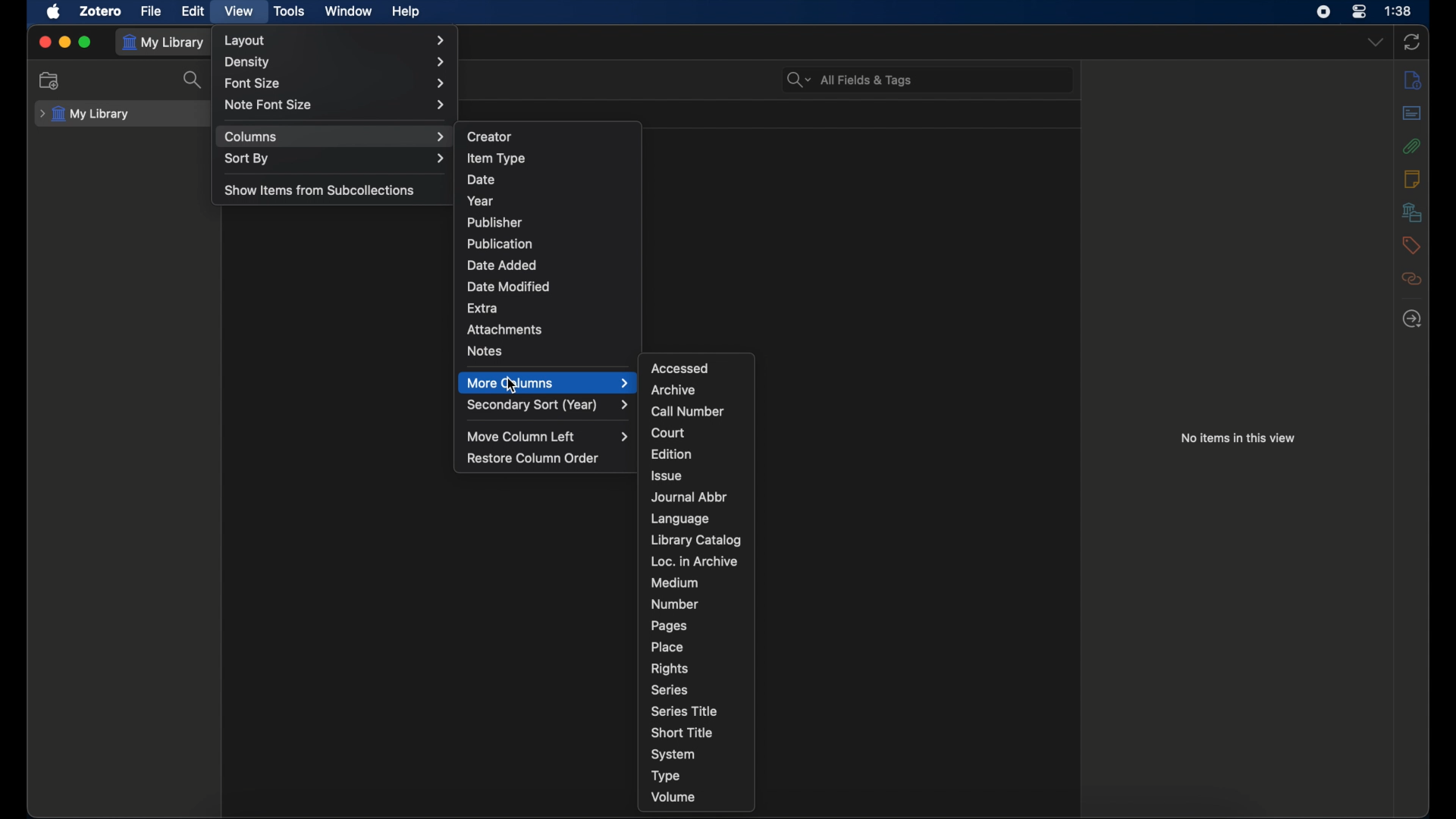  I want to click on attachments, so click(1412, 146).